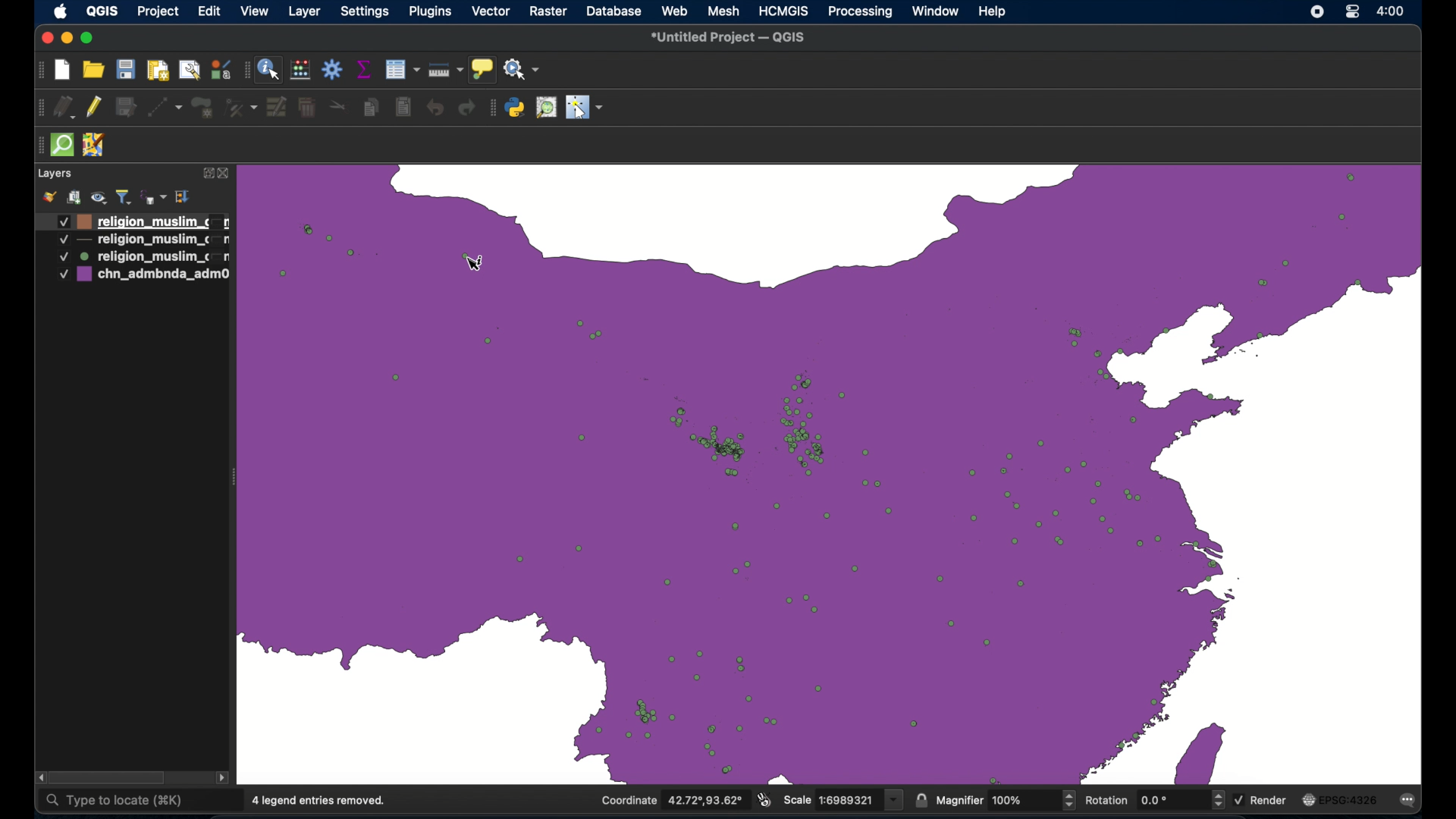  What do you see at coordinates (545, 108) in the screenshot?
I see `osm palce search` at bounding box center [545, 108].